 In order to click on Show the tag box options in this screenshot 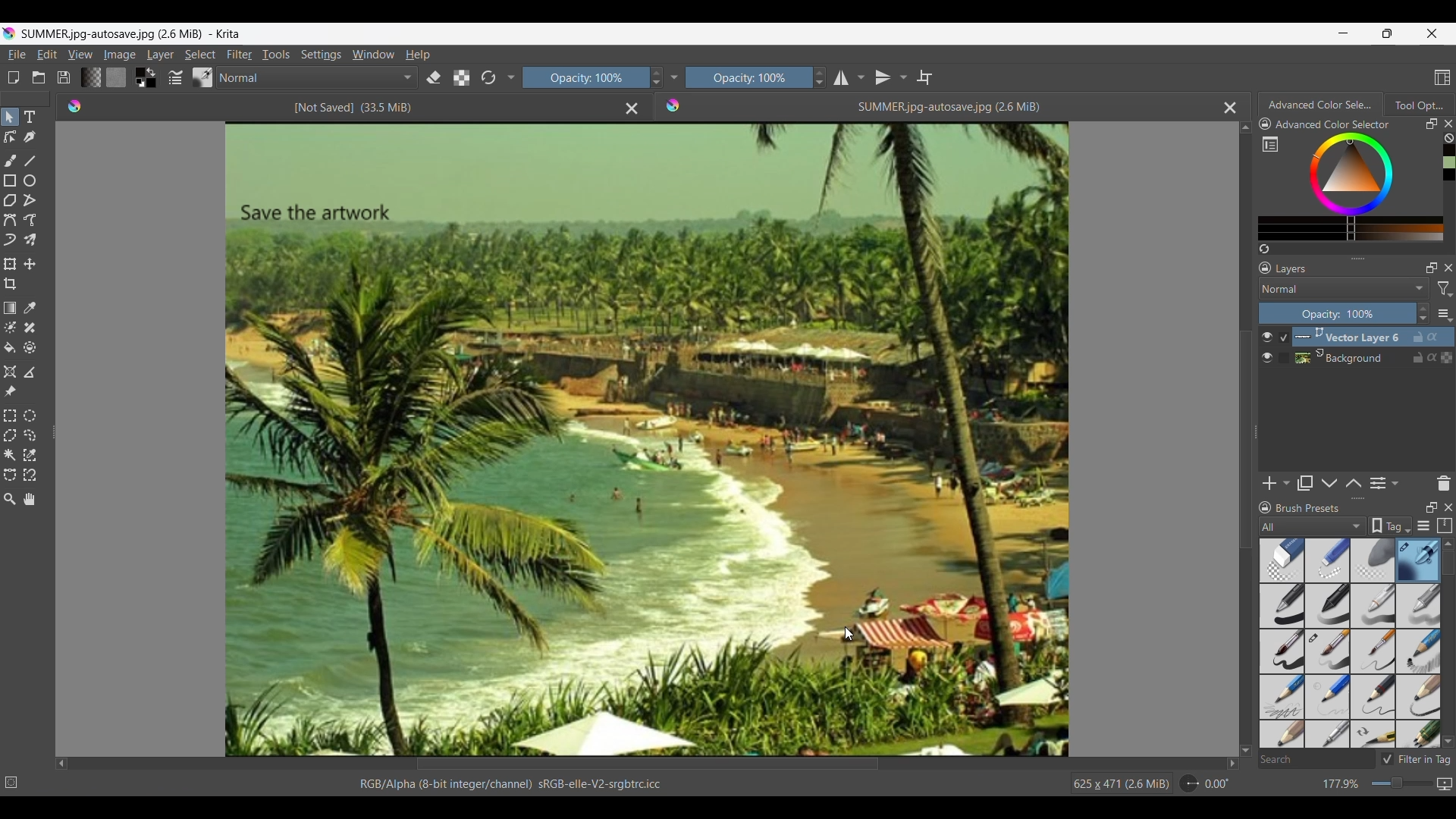, I will do `click(1390, 526)`.